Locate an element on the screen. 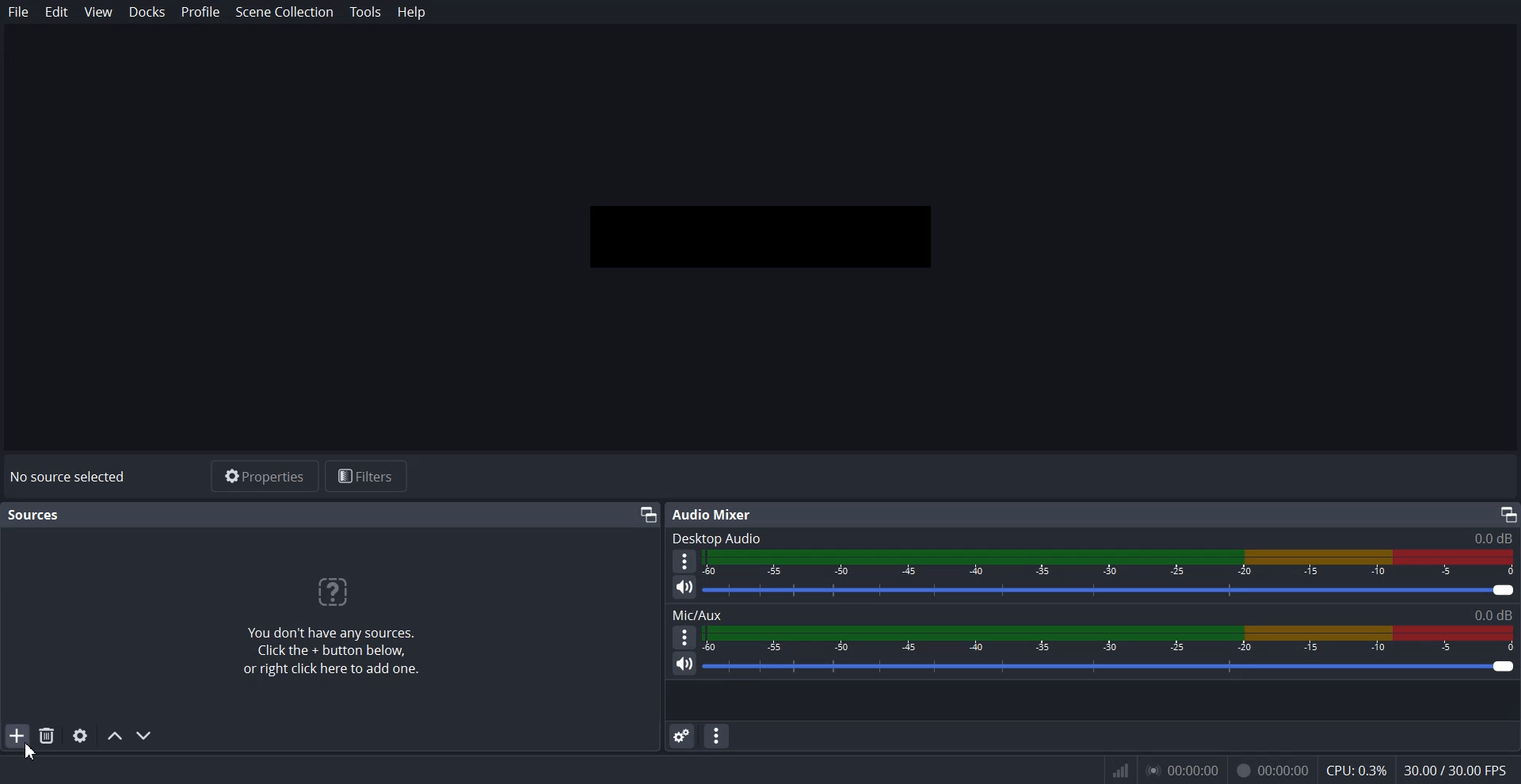  Text is located at coordinates (1089, 538).